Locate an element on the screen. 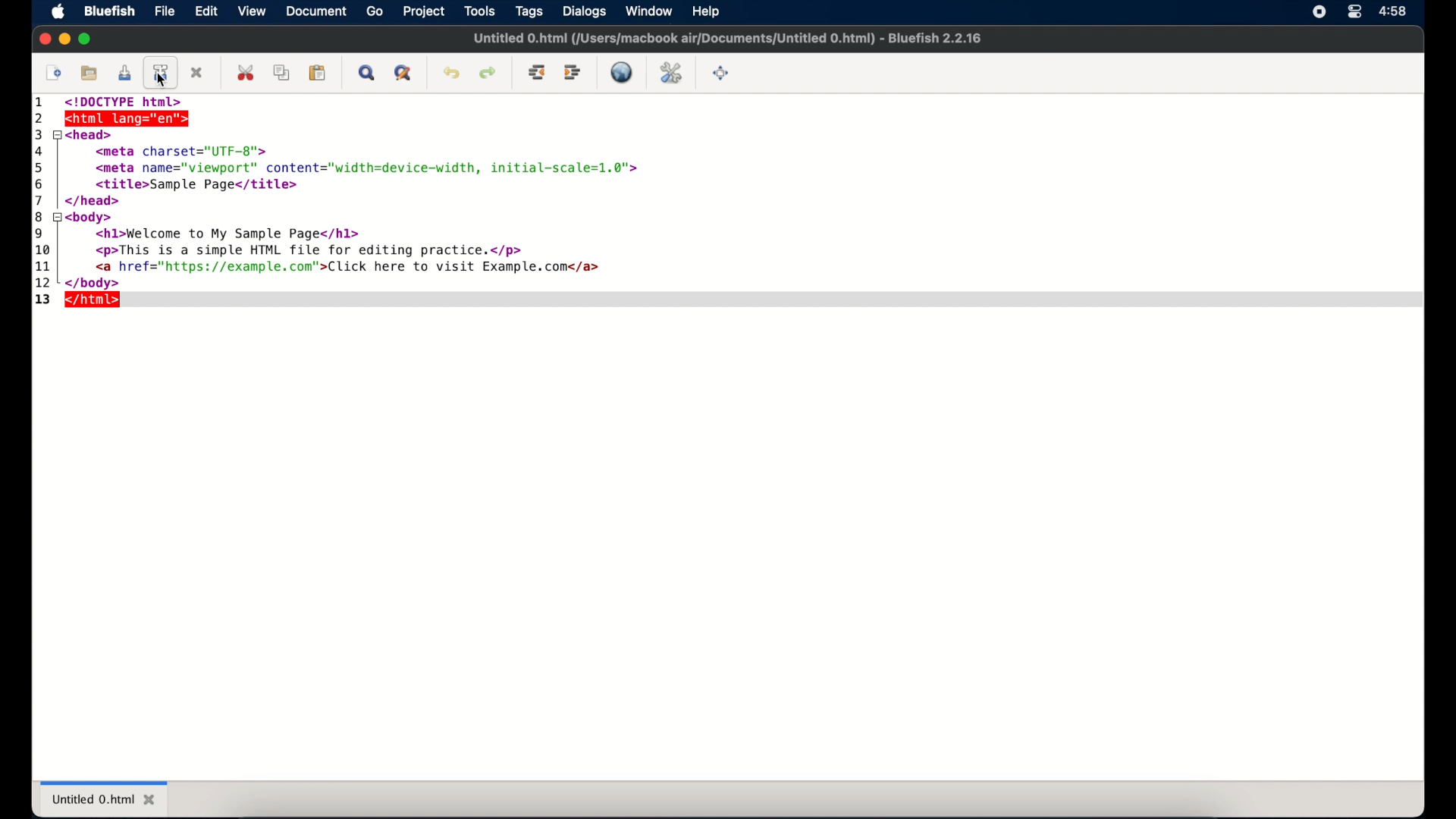  new is located at coordinates (54, 74).